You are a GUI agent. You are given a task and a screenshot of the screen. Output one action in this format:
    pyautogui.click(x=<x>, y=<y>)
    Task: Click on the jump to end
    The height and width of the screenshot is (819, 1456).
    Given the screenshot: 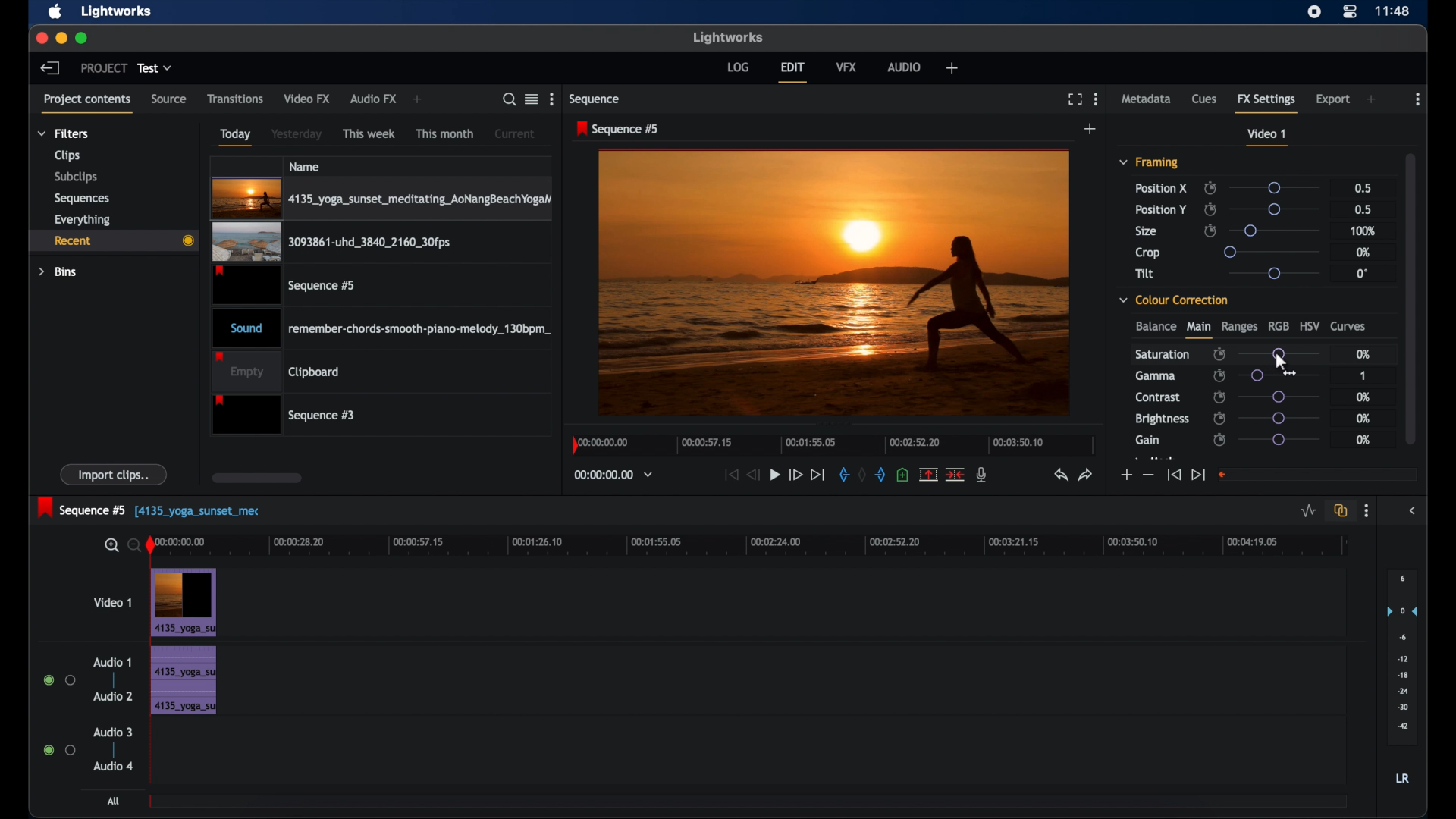 What is the action you would take?
    pyautogui.click(x=818, y=474)
    